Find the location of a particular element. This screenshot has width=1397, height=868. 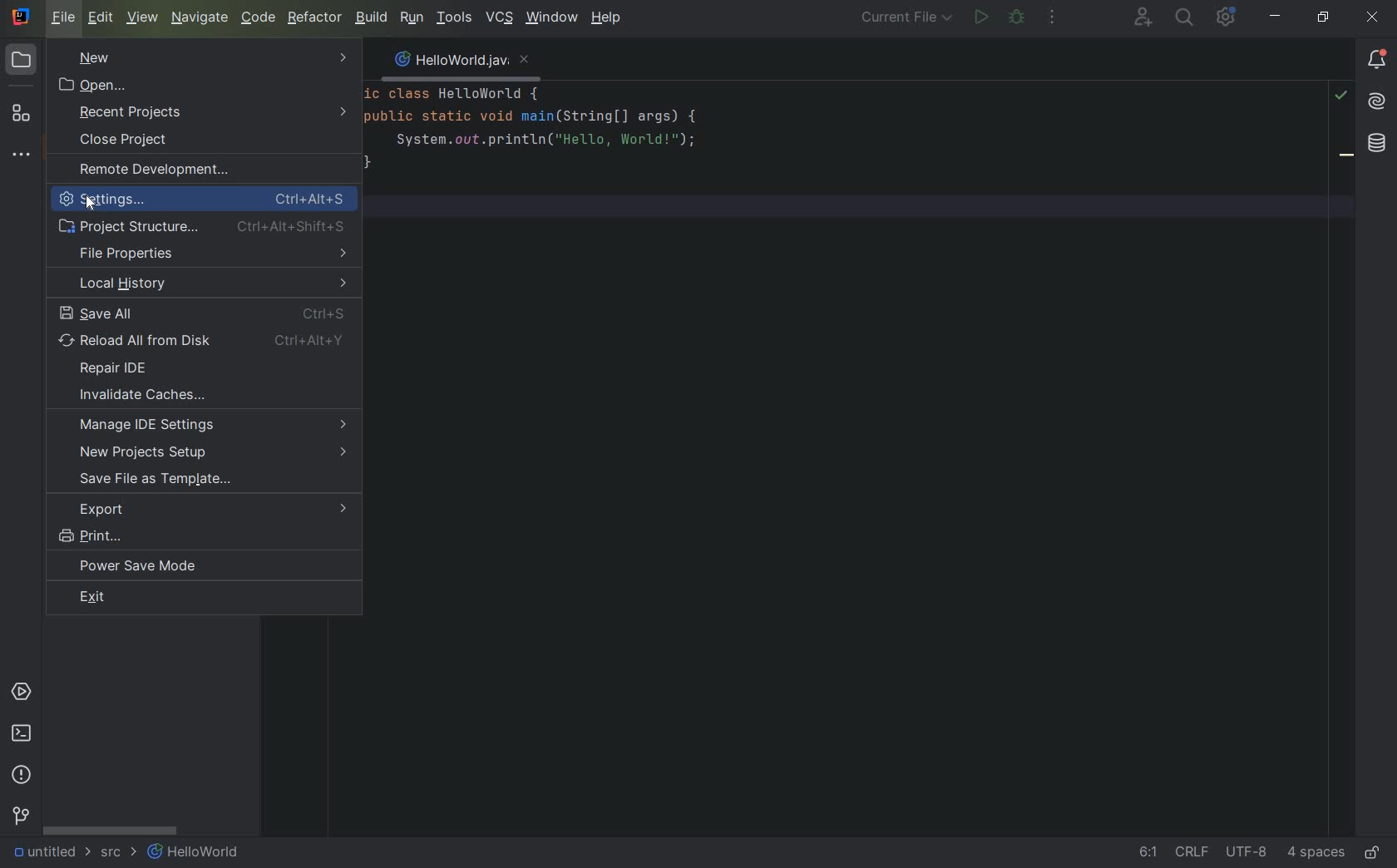

FILE is located at coordinates (65, 18).